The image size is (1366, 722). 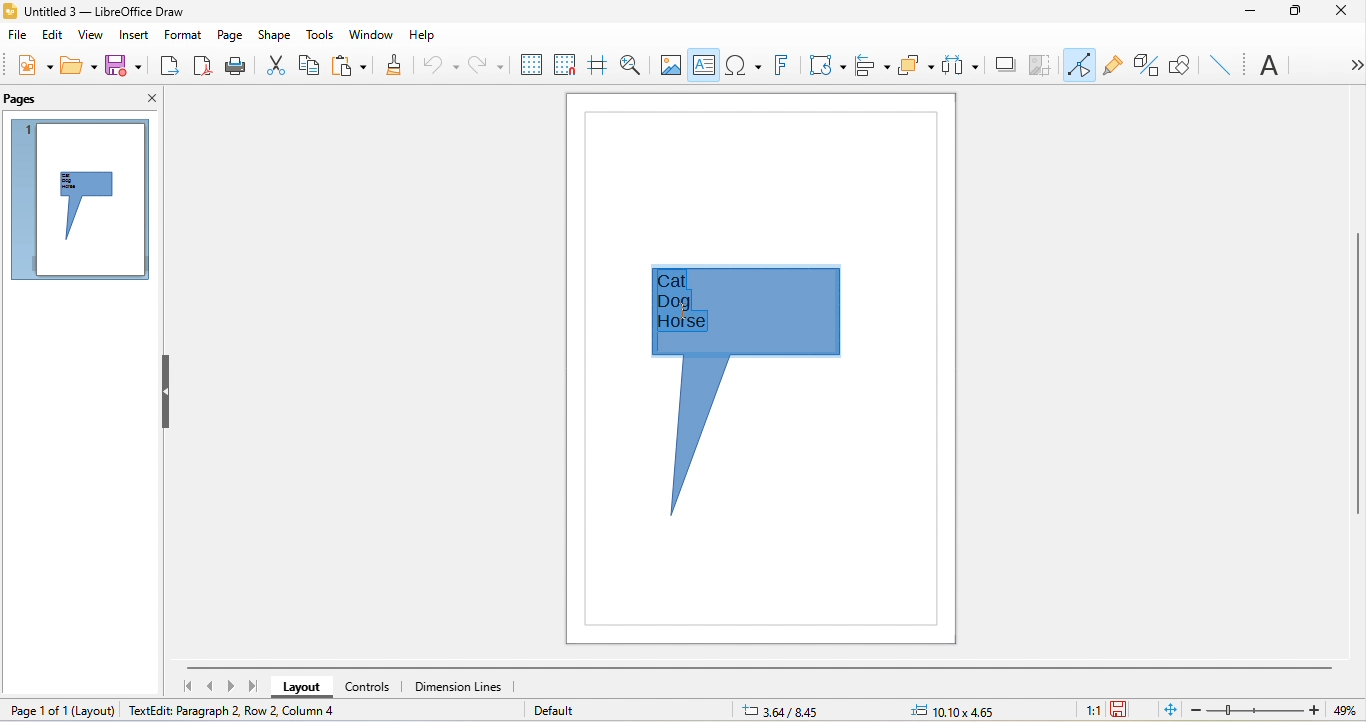 What do you see at coordinates (789, 710) in the screenshot?
I see `3.64/8.45` at bounding box center [789, 710].